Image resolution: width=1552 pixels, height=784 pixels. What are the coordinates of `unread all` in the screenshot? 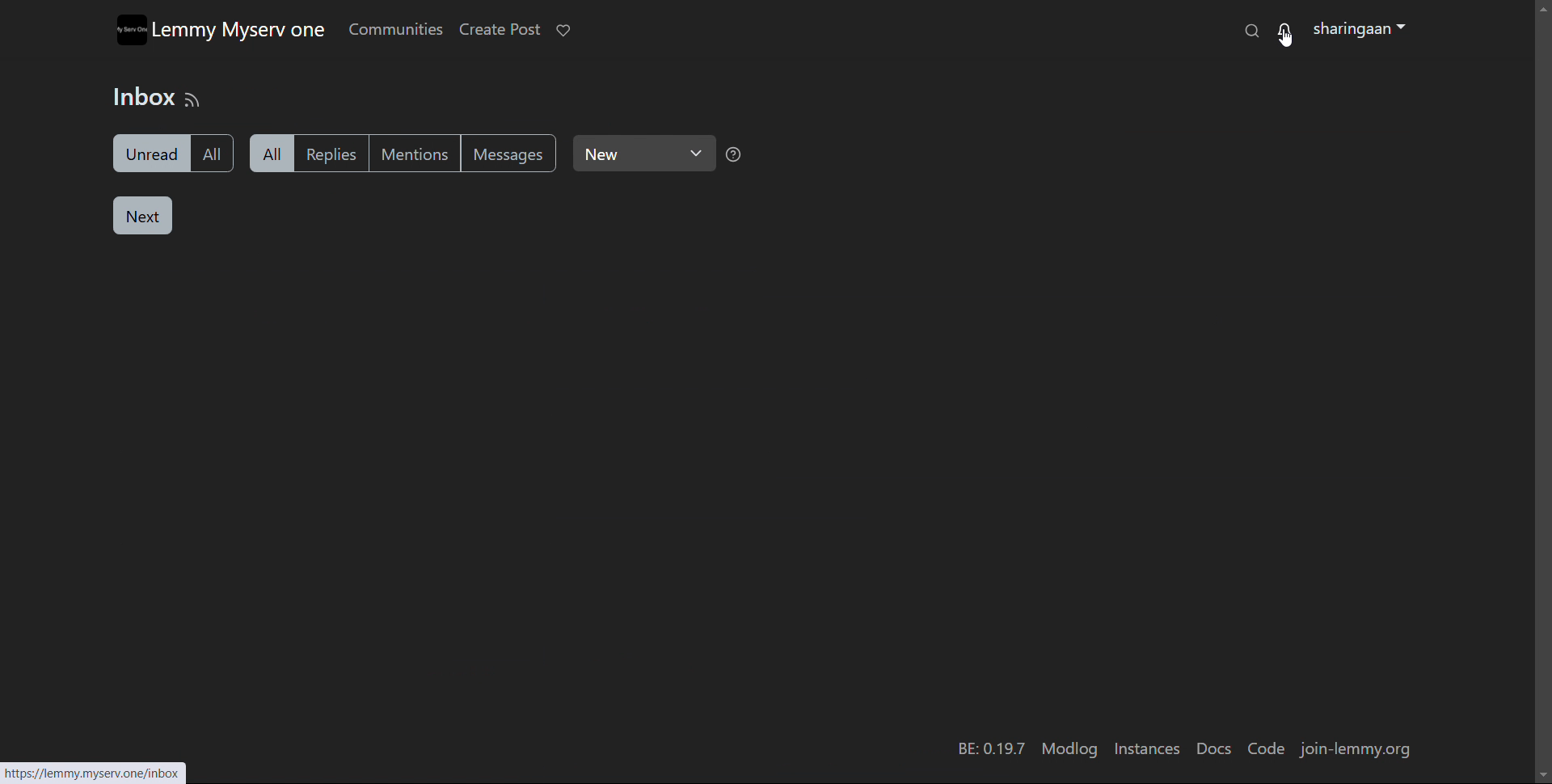 It's located at (170, 153).